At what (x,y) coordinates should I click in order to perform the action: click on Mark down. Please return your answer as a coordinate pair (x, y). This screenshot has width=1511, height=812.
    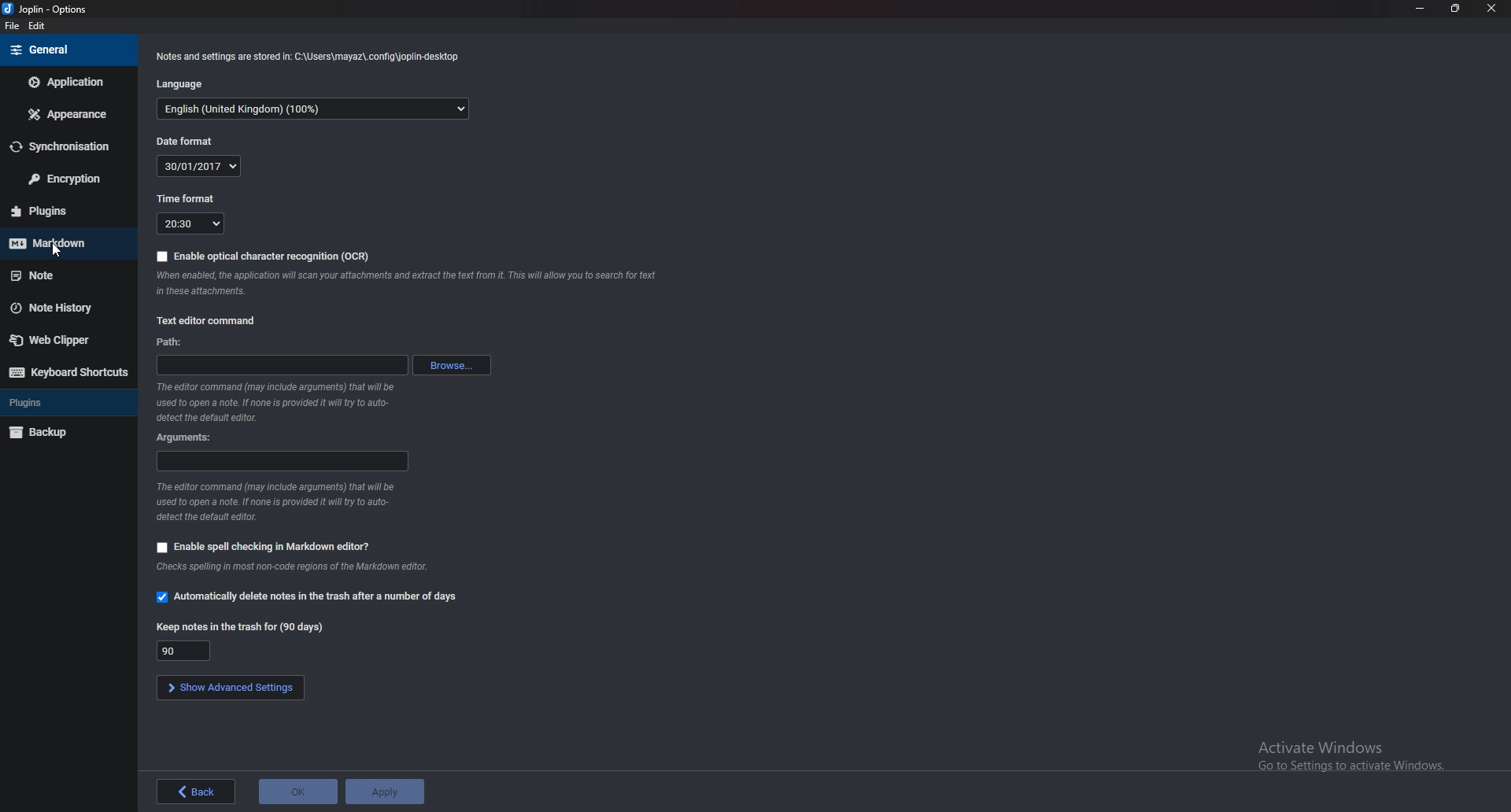
    Looking at the image, I should click on (62, 243).